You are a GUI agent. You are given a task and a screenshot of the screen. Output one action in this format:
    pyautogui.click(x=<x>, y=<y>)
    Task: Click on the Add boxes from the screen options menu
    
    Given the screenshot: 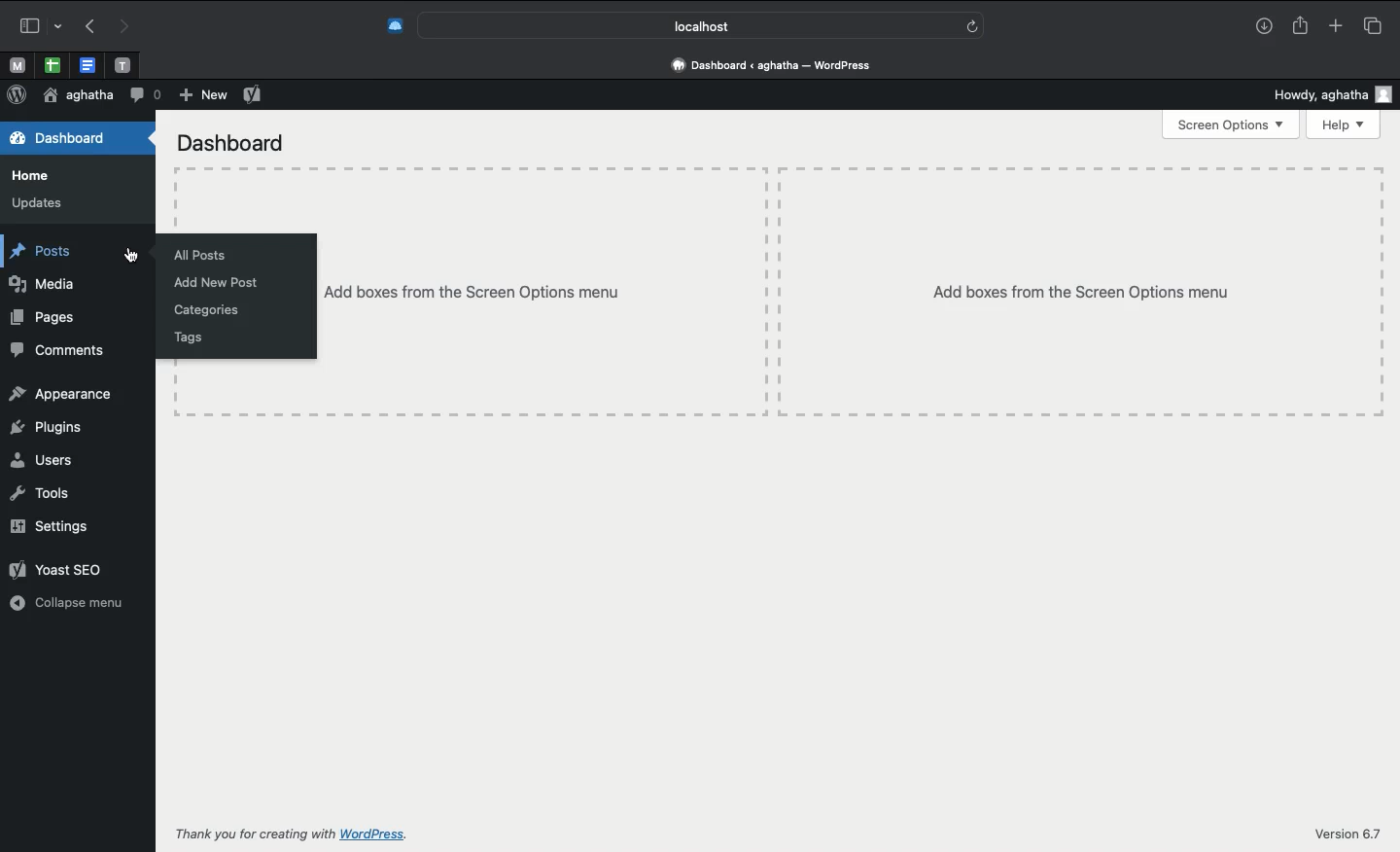 What is the action you would take?
    pyautogui.click(x=852, y=291)
    